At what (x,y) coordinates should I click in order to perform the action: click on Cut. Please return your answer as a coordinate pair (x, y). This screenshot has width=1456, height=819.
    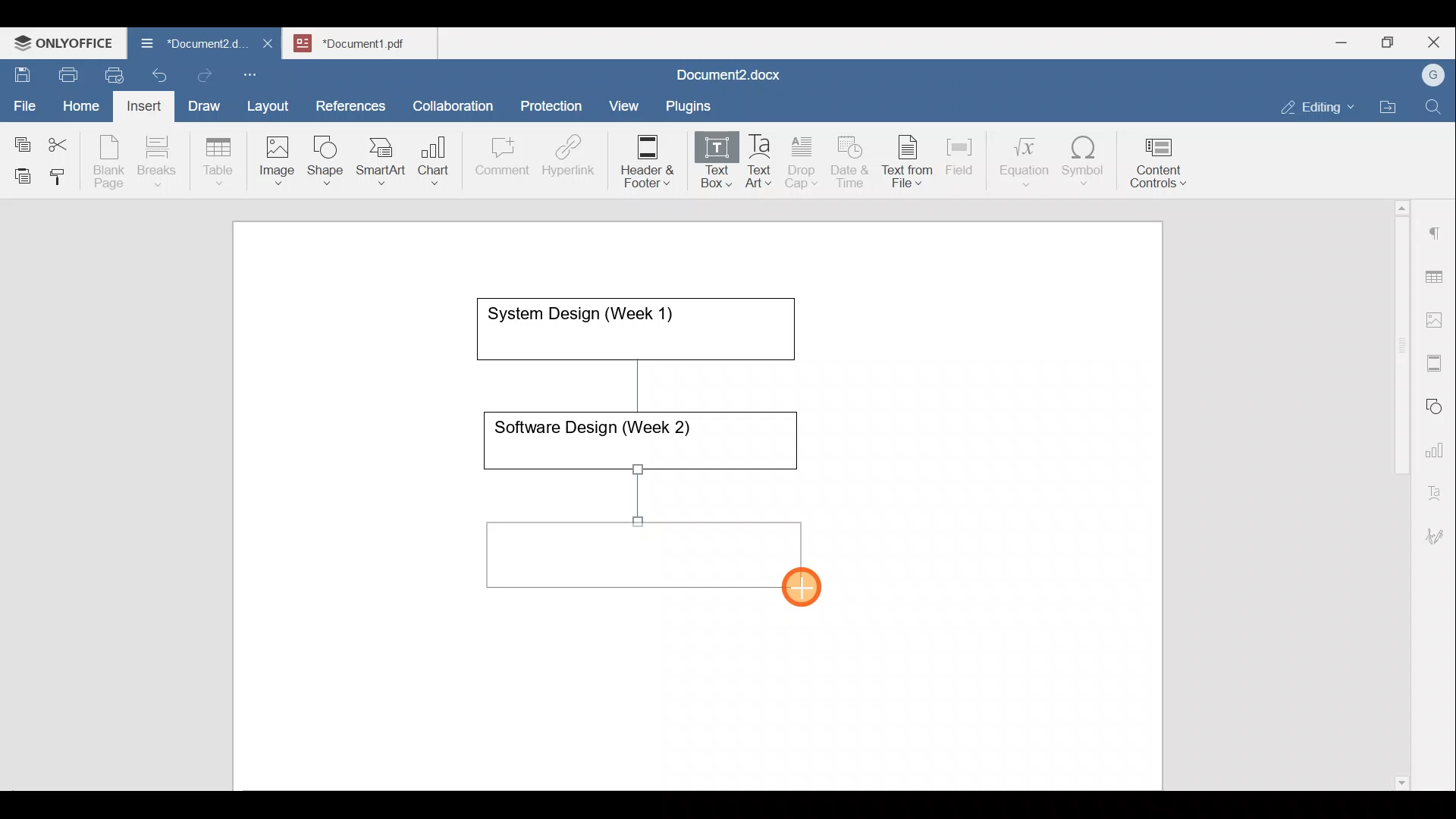
    Looking at the image, I should click on (64, 141).